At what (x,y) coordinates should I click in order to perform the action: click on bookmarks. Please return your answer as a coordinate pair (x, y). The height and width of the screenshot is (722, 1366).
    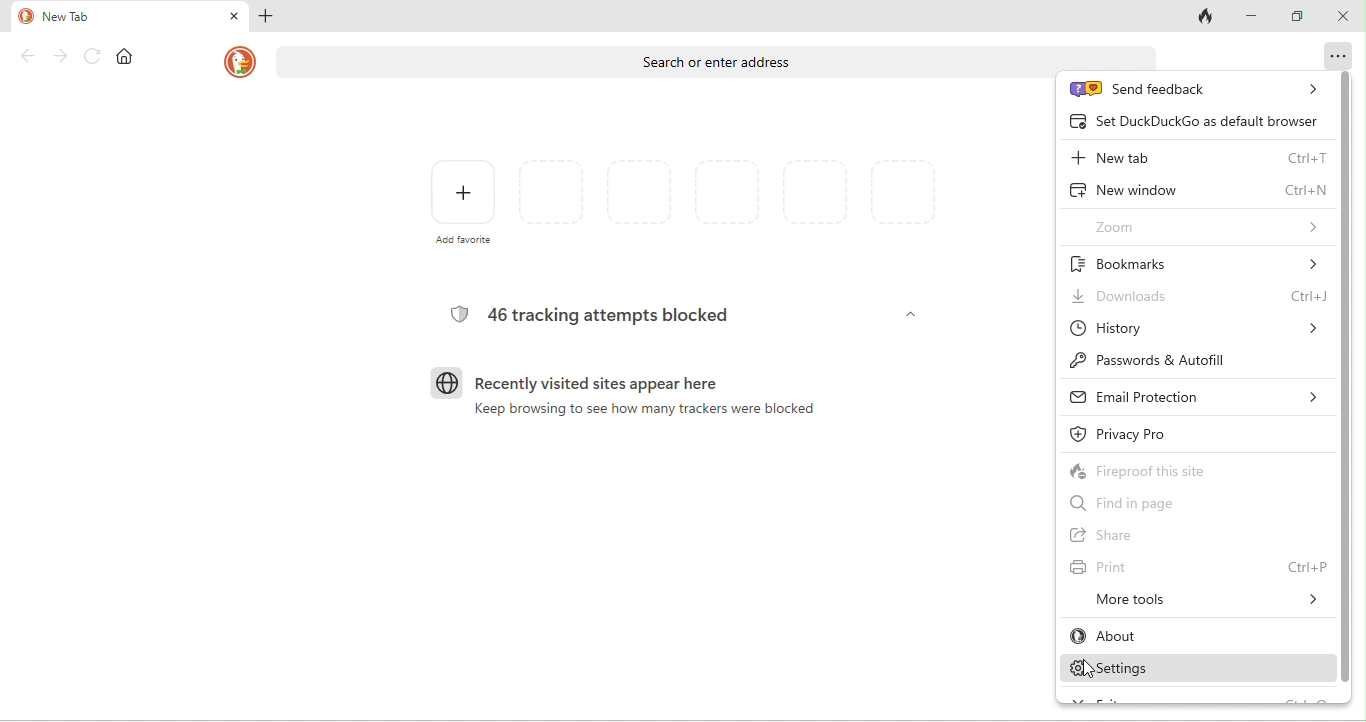
    Looking at the image, I should click on (1203, 264).